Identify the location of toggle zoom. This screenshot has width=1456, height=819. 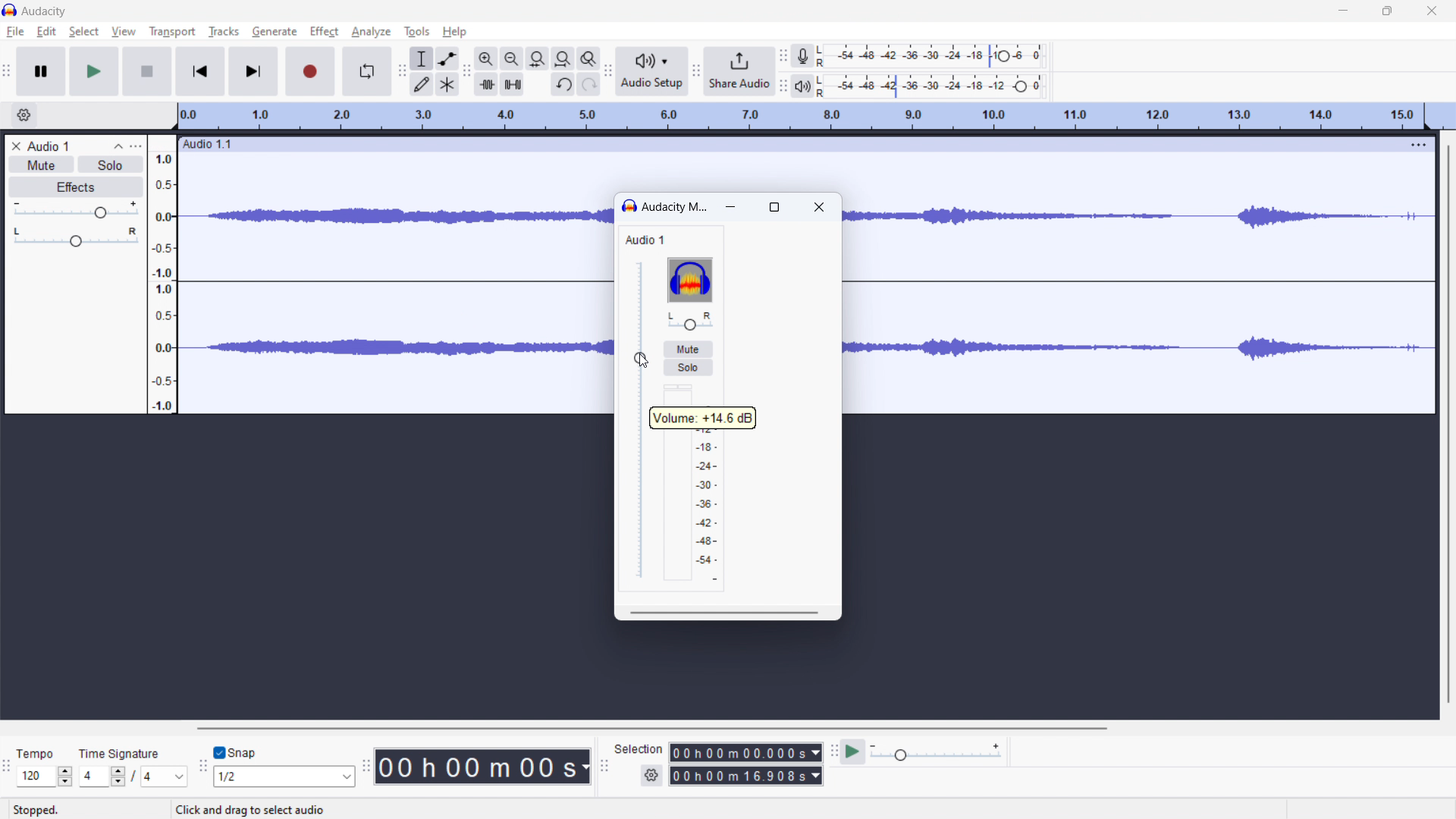
(588, 58).